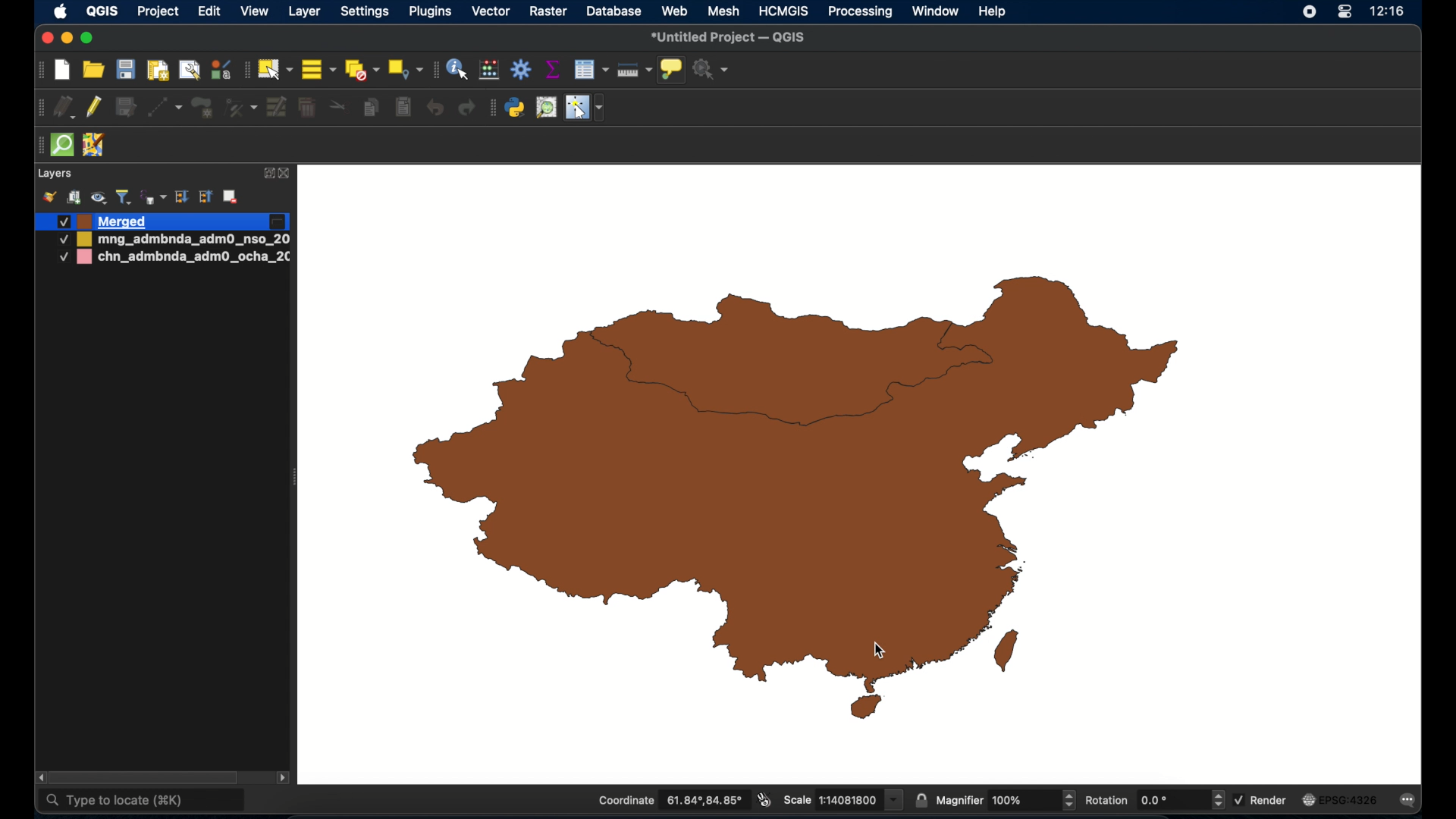 Image resolution: width=1456 pixels, height=819 pixels. I want to click on layers, so click(55, 174).